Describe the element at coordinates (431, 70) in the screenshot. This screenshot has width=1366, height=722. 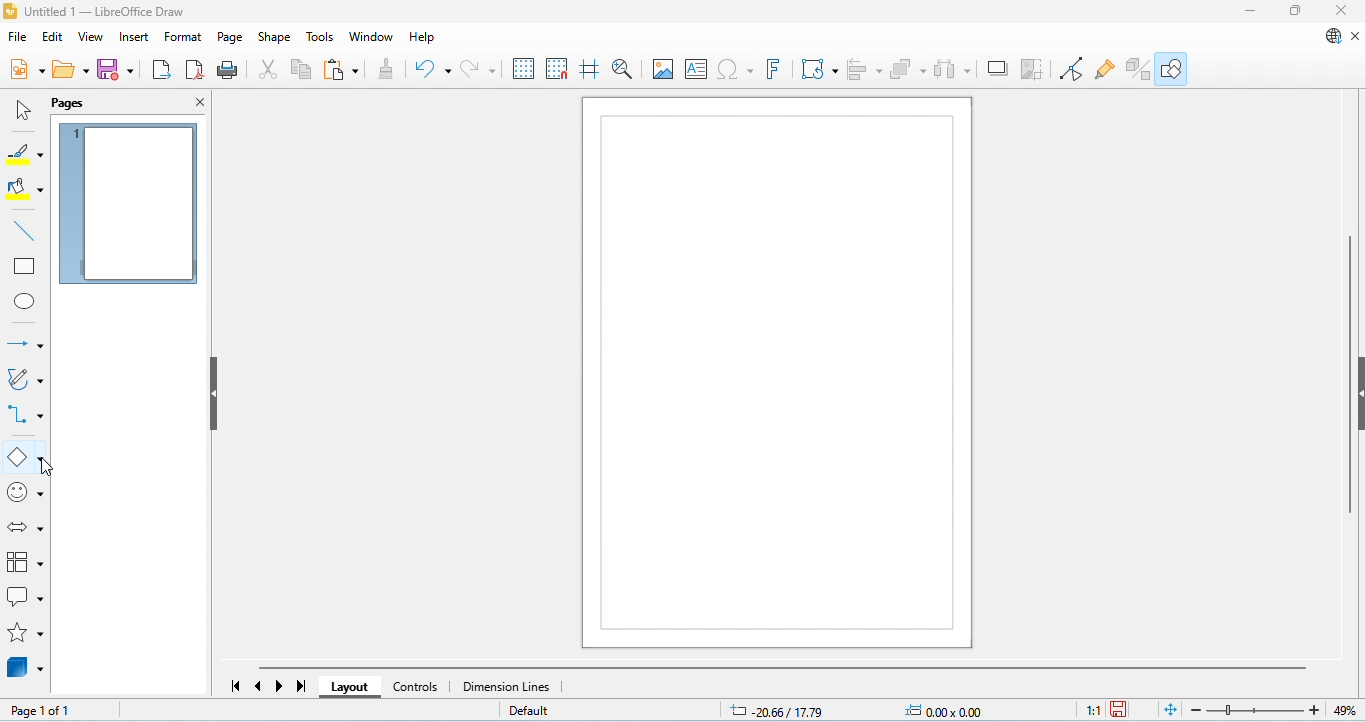
I see `undo` at that location.